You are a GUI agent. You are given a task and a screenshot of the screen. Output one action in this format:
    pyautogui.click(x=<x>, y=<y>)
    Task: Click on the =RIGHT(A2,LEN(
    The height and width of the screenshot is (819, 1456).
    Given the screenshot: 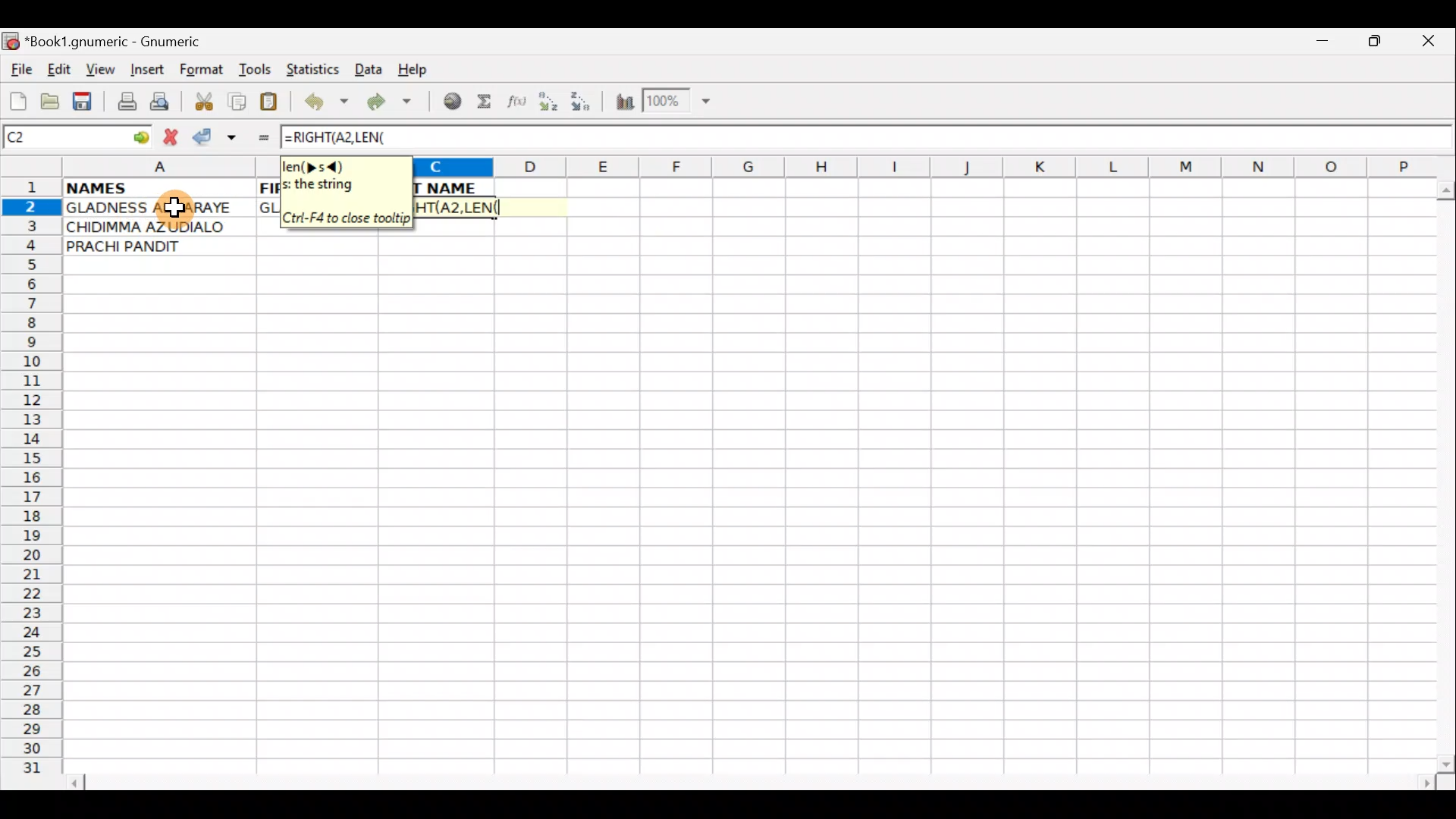 What is the action you would take?
    pyautogui.click(x=337, y=137)
    